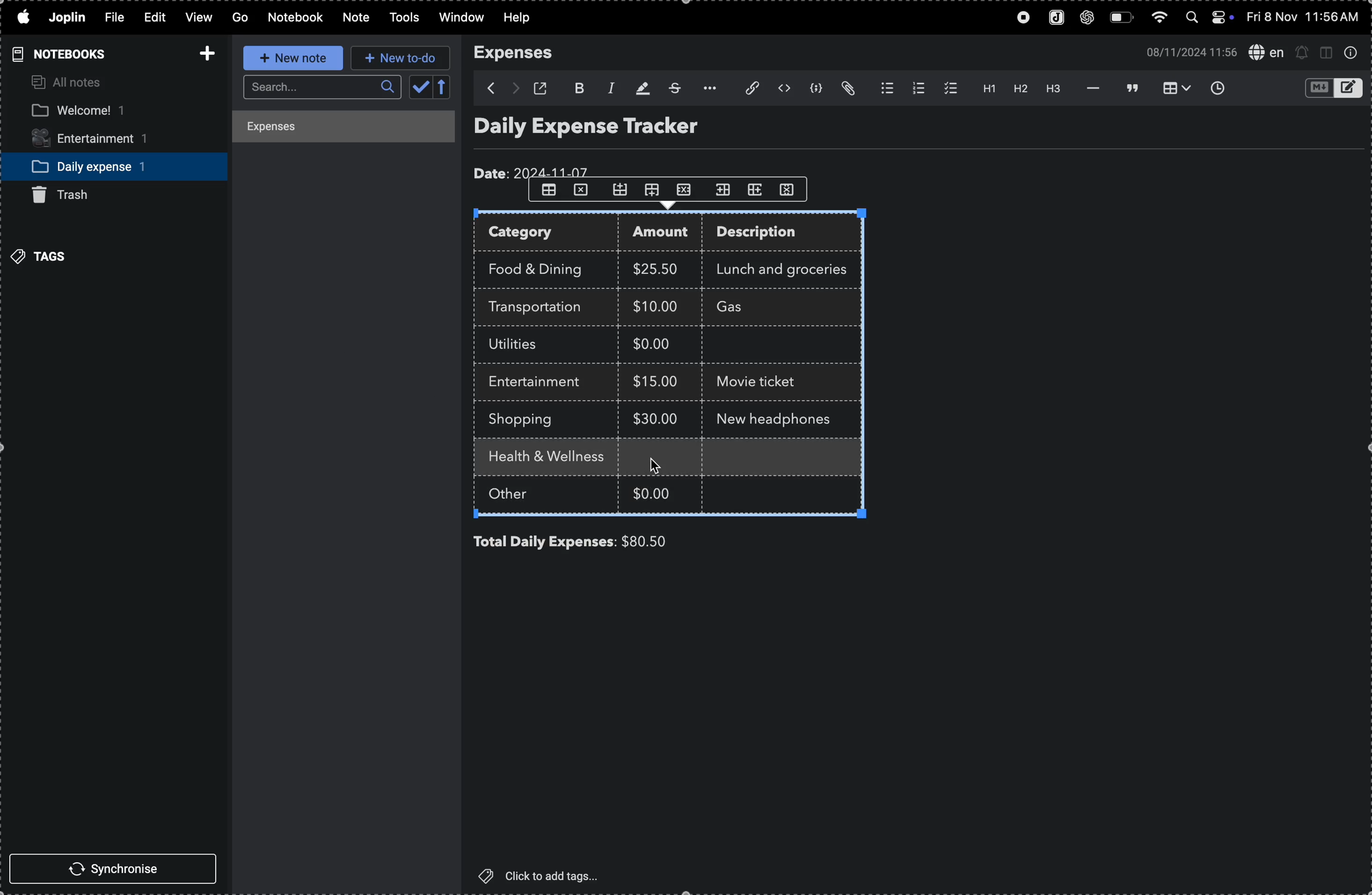 This screenshot has height=895, width=1372. I want to click on new headphones, so click(775, 418).